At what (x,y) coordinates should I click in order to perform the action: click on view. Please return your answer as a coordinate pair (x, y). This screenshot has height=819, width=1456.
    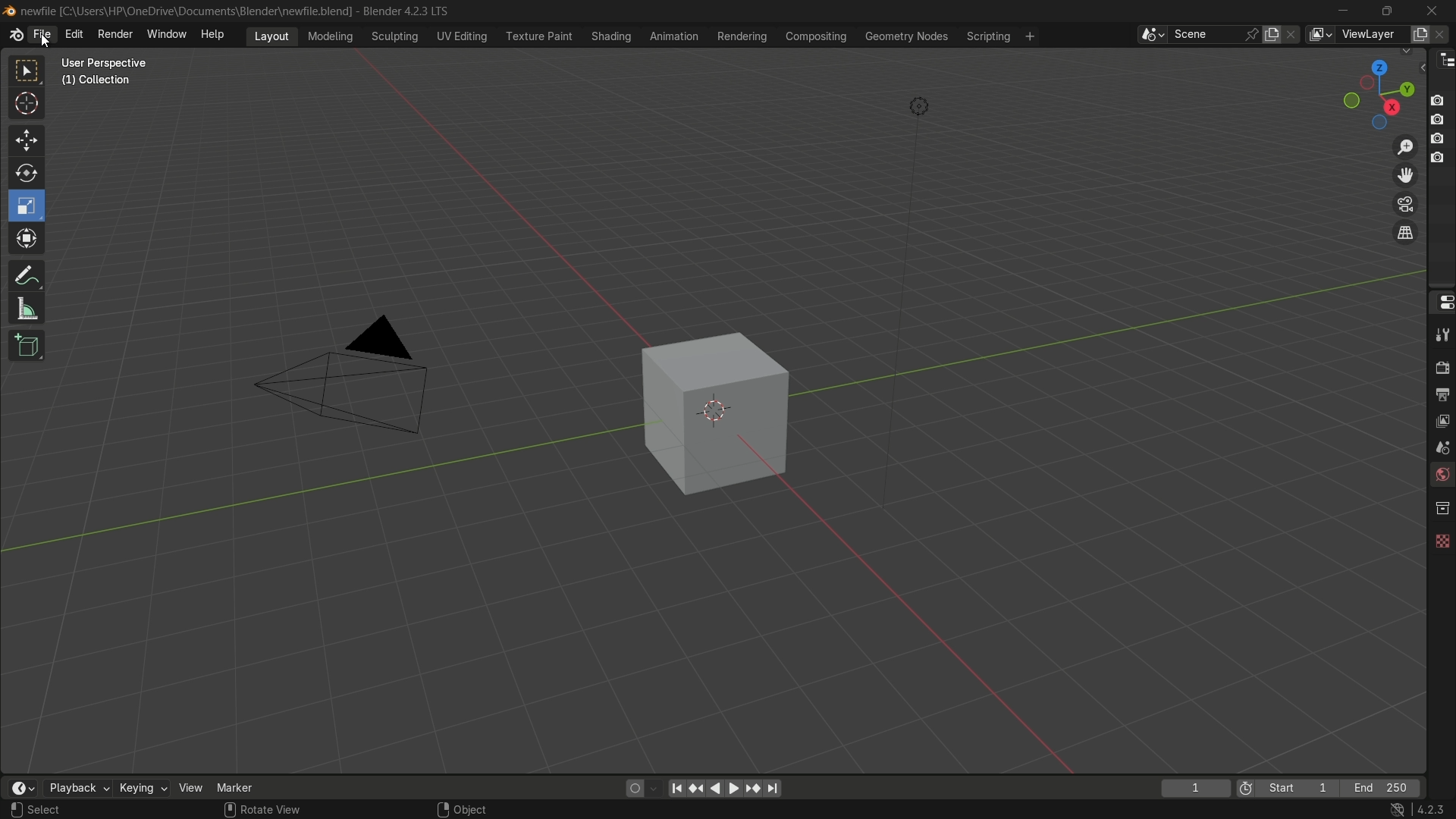
    Looking at the image, I should click on (191, 787).